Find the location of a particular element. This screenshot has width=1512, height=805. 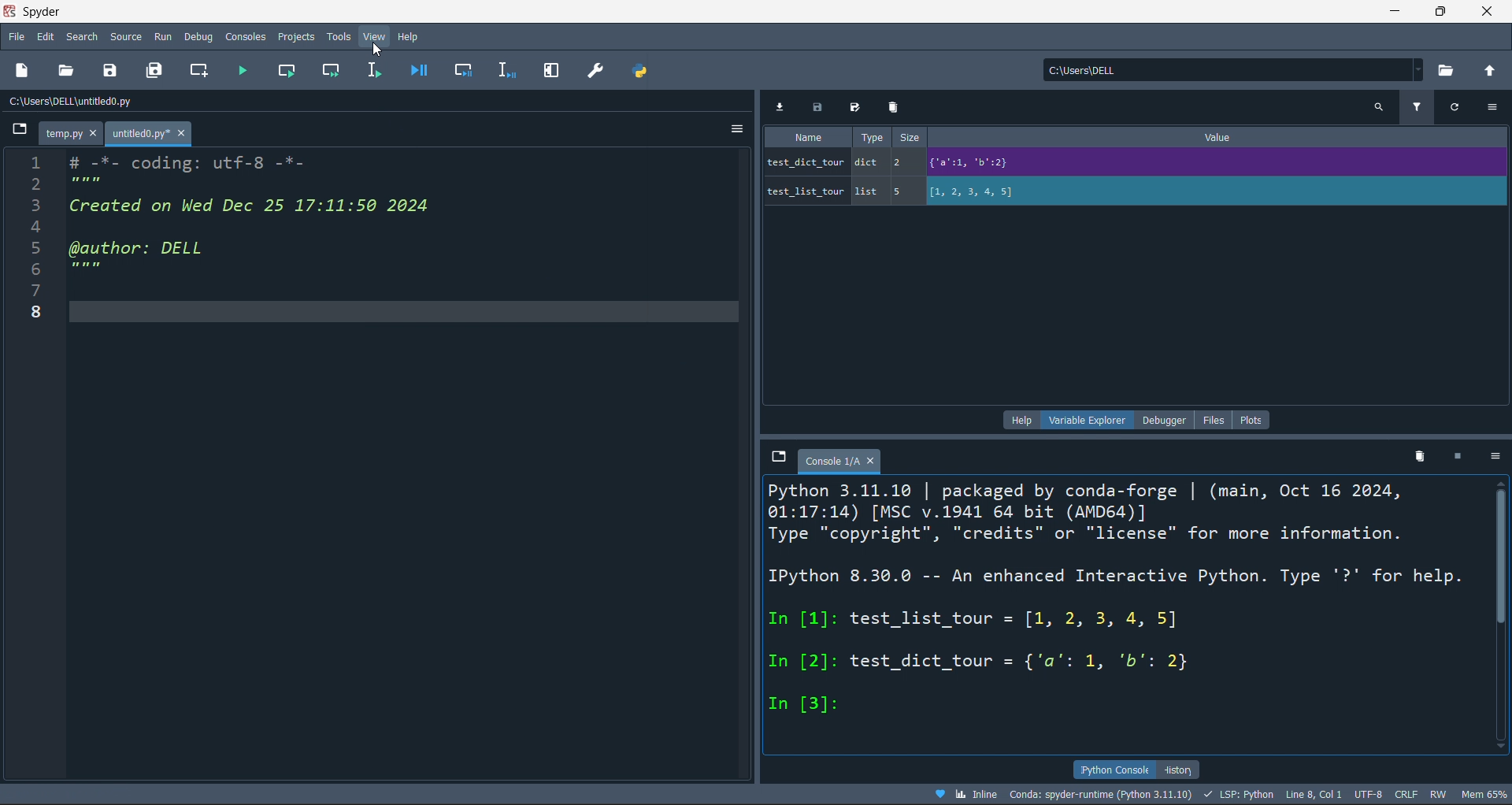

view is located at coordinates (372, 35).